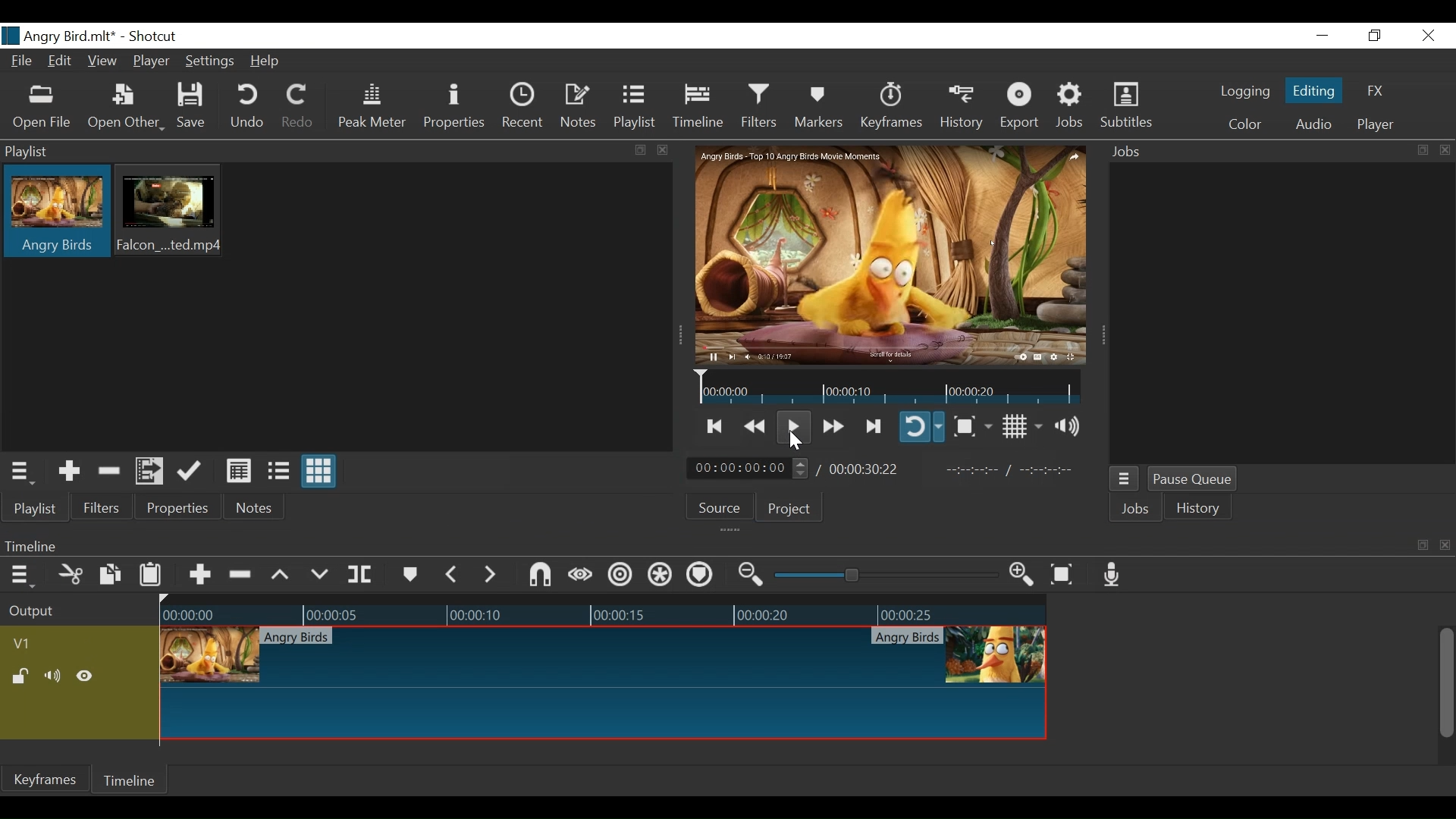 Image resolution: width=1456 pixels, height=819 pixels. What do you see at coordinates (722, 510) in the screenshot?
I see `Source` at bounding box center [722, 510].